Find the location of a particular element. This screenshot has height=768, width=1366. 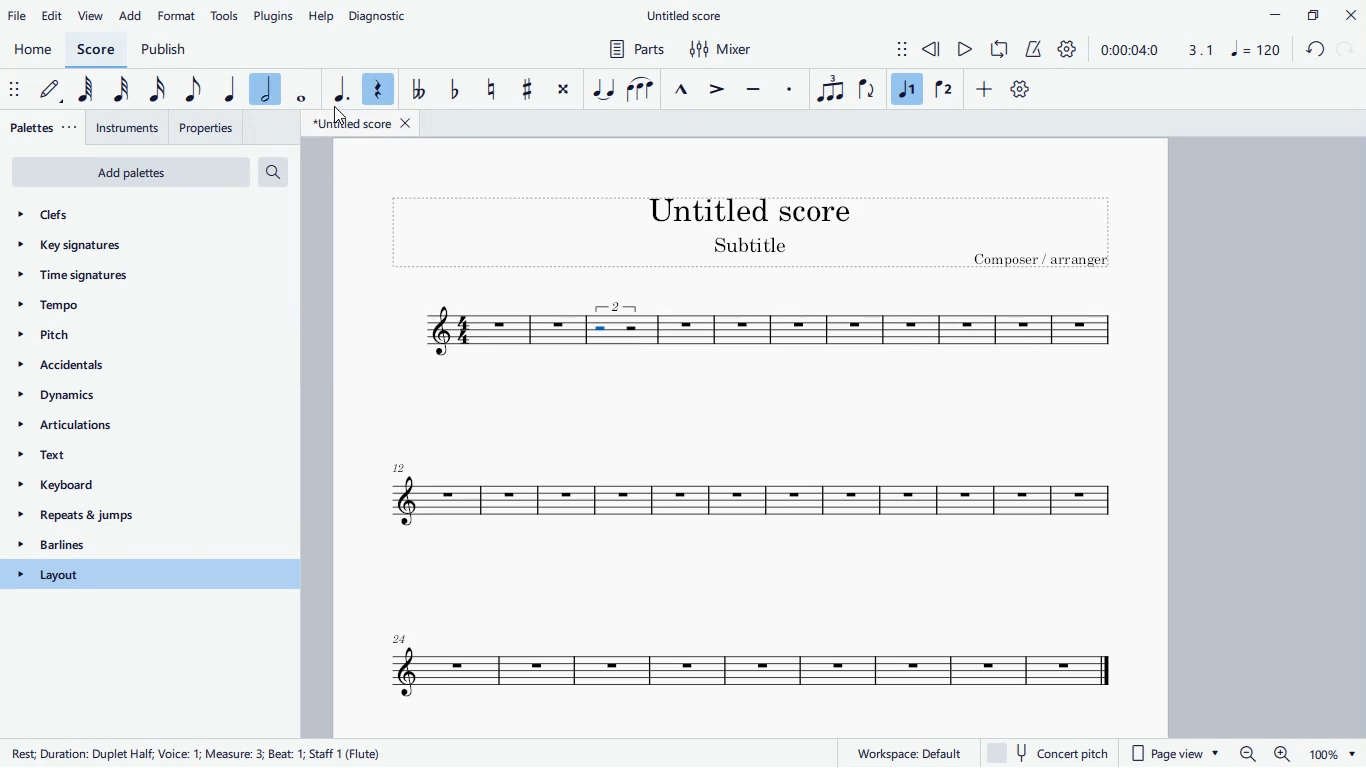

staccato is located at coordinates (791, 89).